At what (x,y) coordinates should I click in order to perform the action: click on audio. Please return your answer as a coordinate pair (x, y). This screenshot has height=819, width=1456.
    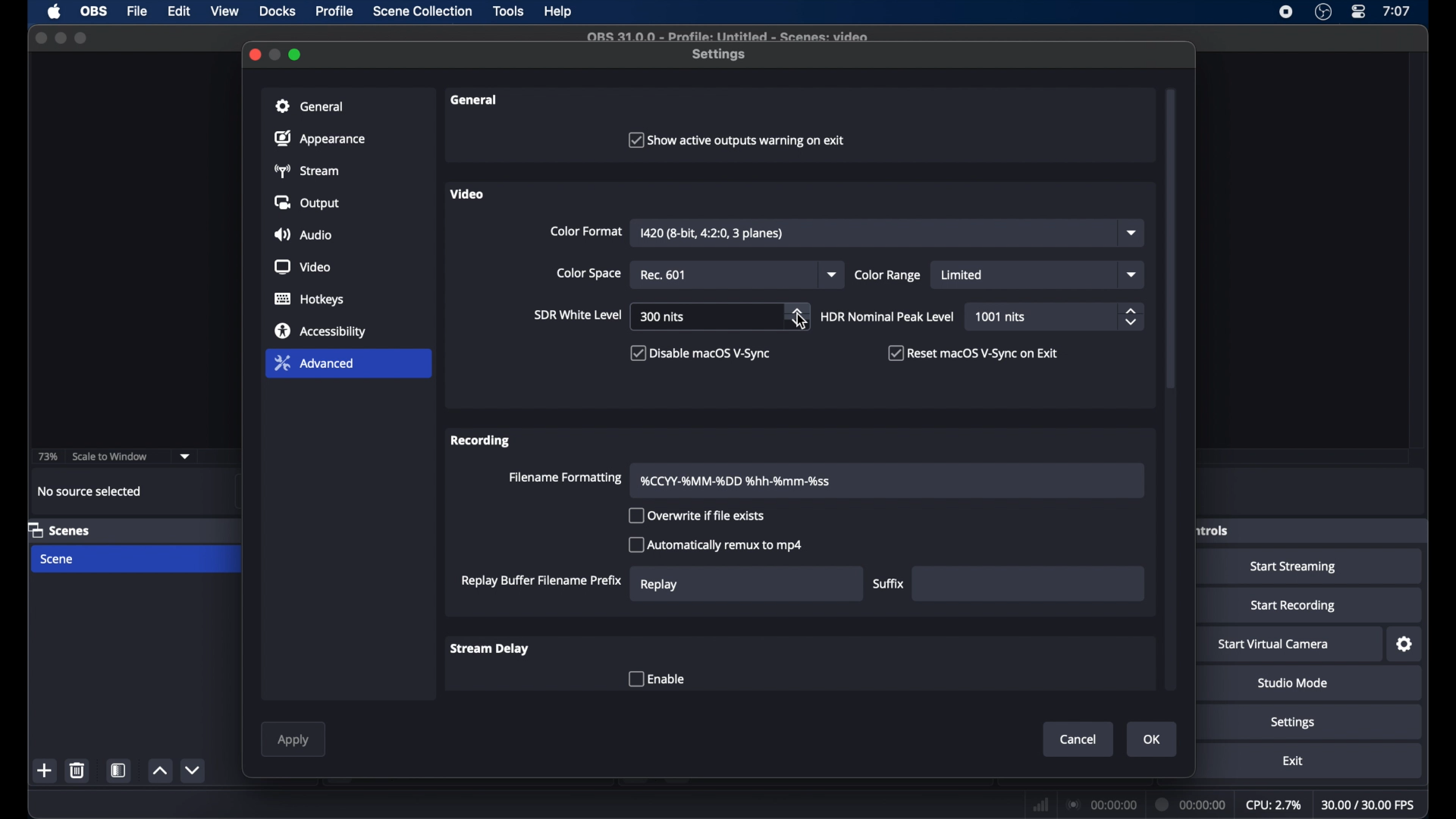
    Looking at the image, I should click on (302, 235).